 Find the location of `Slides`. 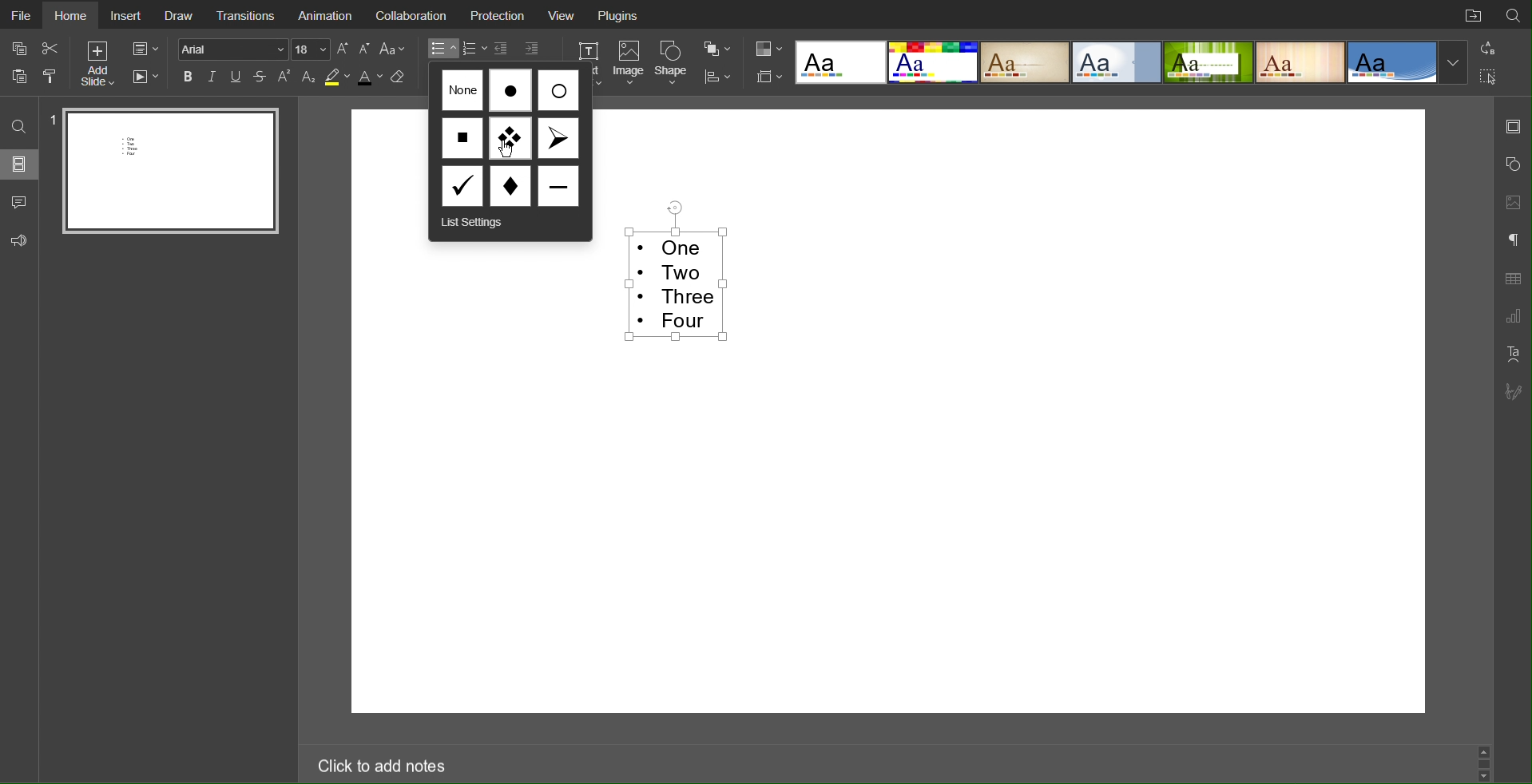

Slides is located at coordinates (22, 164).